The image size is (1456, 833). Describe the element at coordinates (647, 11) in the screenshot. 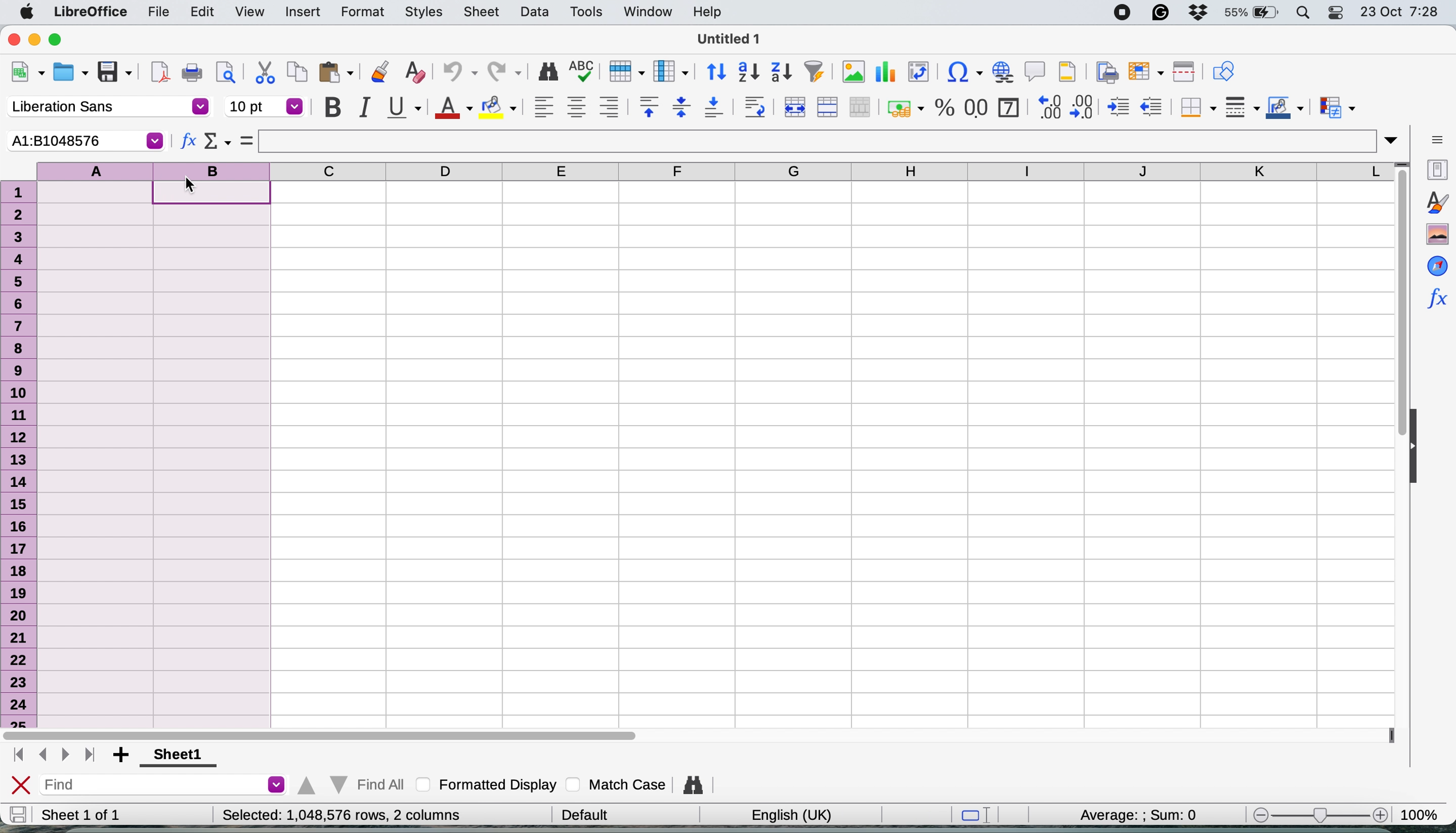

I see `window` at that location.